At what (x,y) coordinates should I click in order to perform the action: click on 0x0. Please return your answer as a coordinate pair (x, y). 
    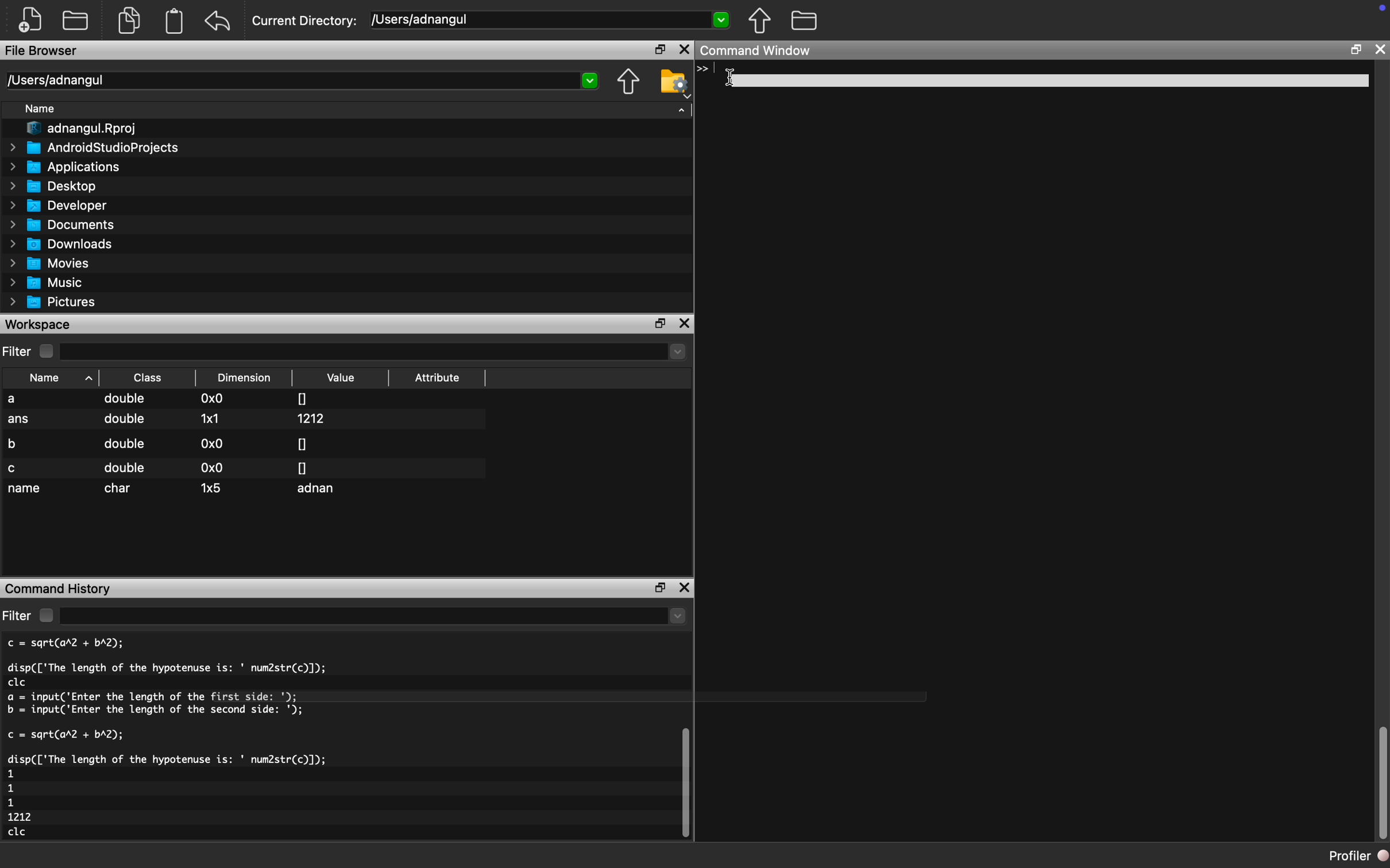
    Looking at the image, I should click on (213, 443).